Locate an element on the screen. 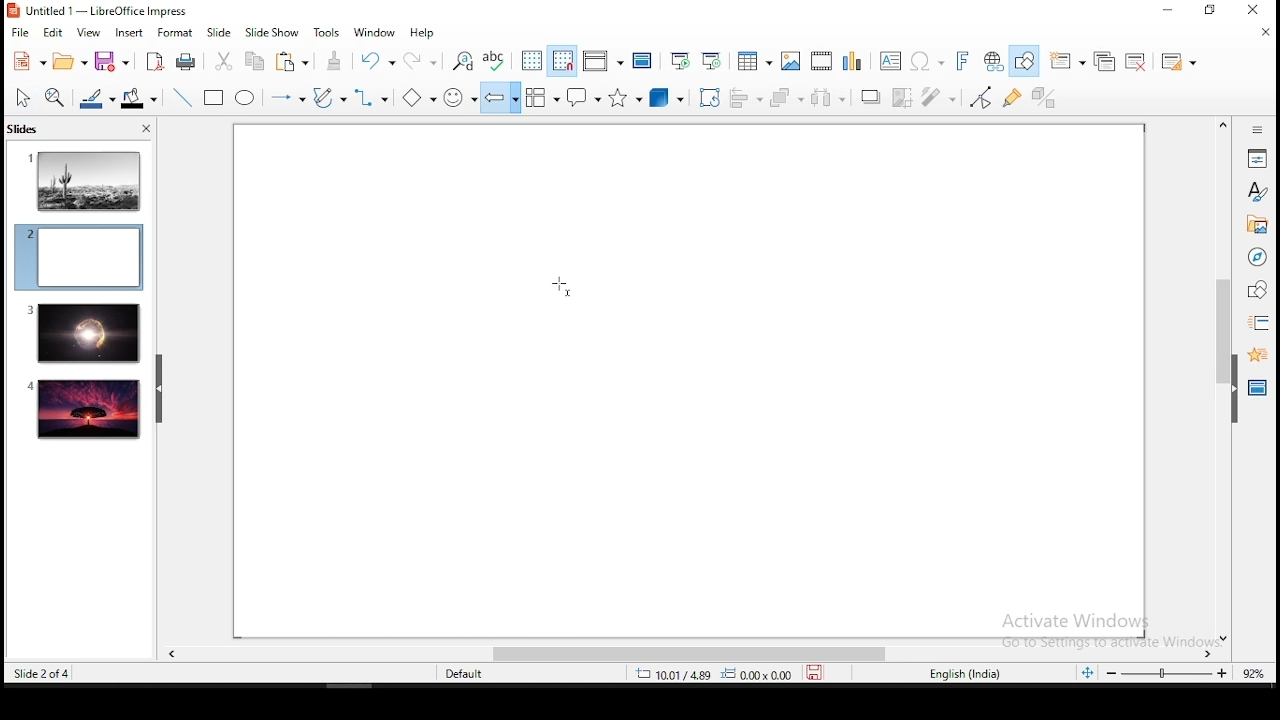  crop image is located at coordinates (903, 97).